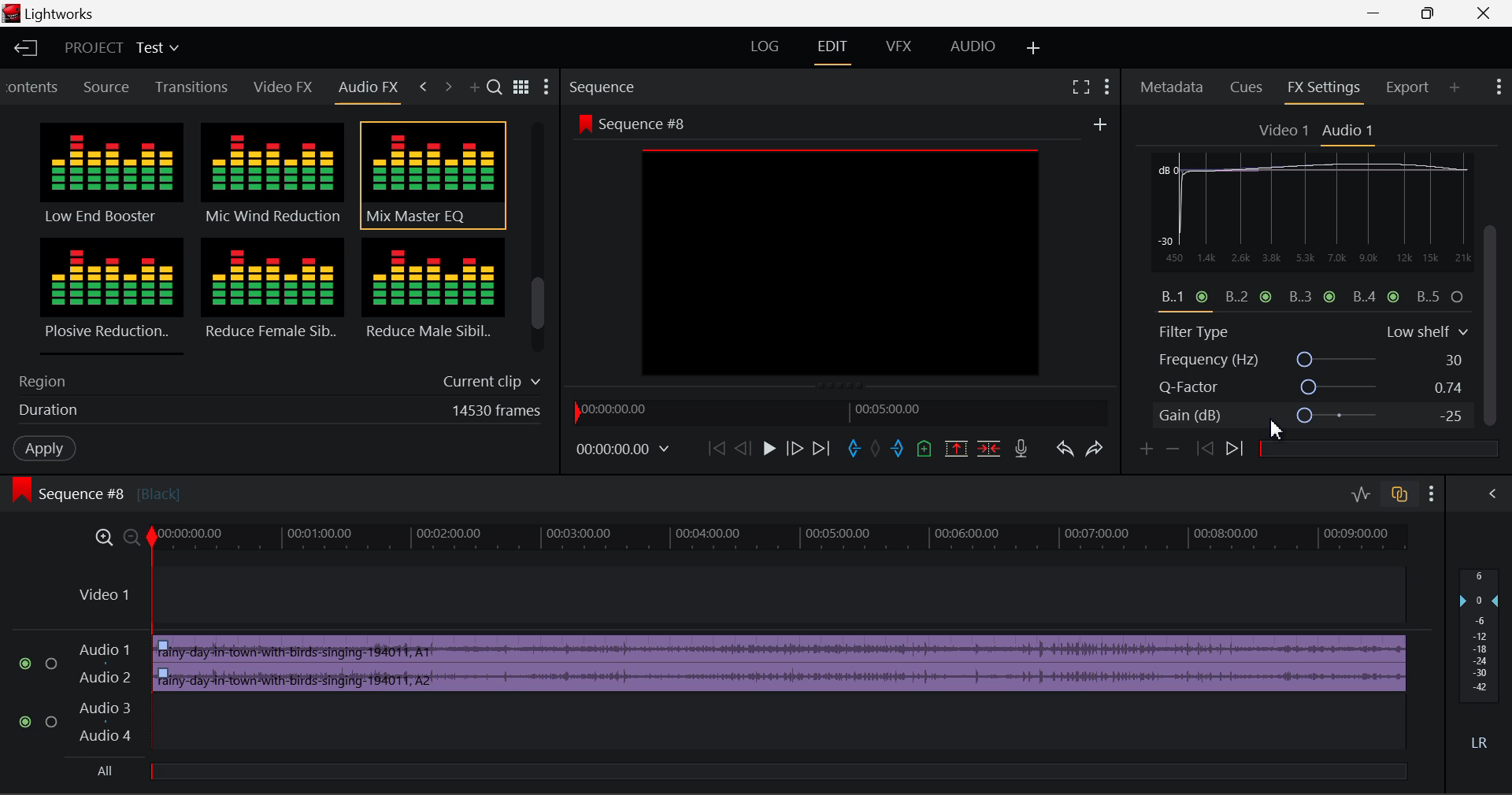  What do you see at coordinates (1380, 13) in the screenshot?
I see `Restore Down` at bounding box center [1380, 13].